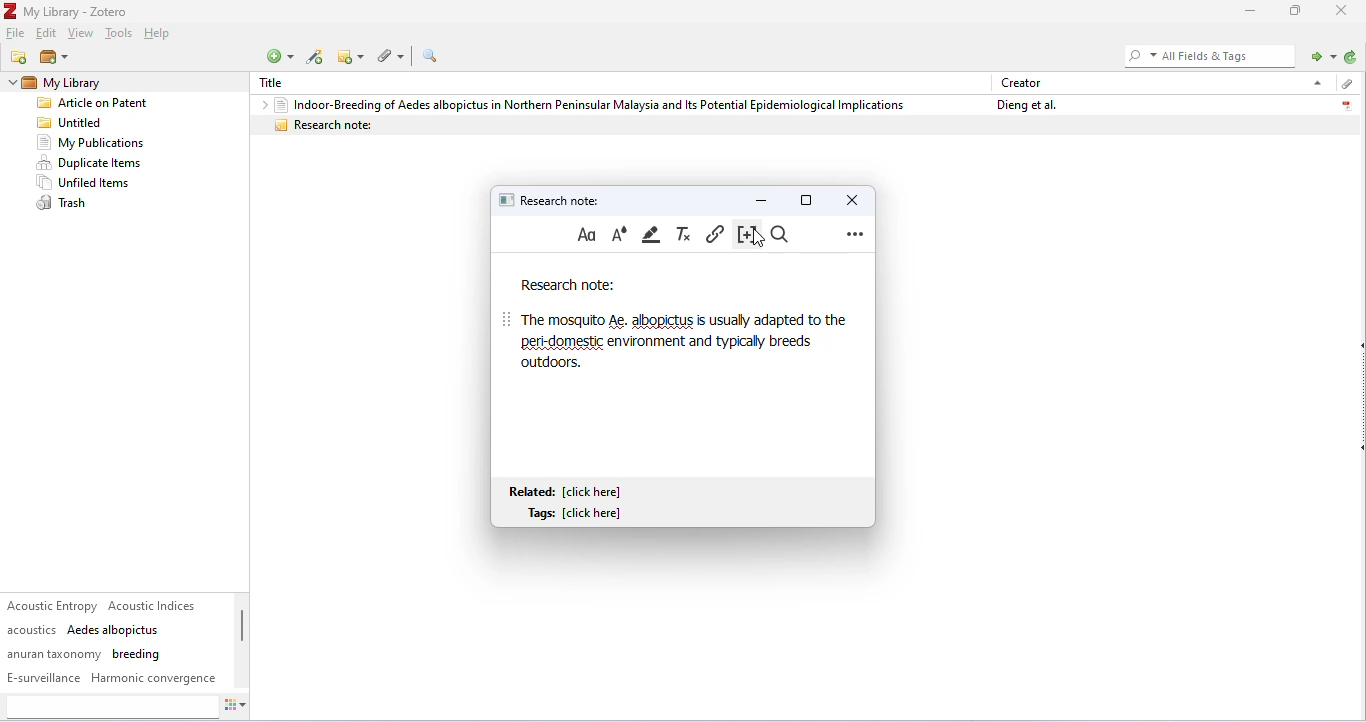  Describe the element at coordinates (1320, 55) in the screenshot. I see `locate` at that location.